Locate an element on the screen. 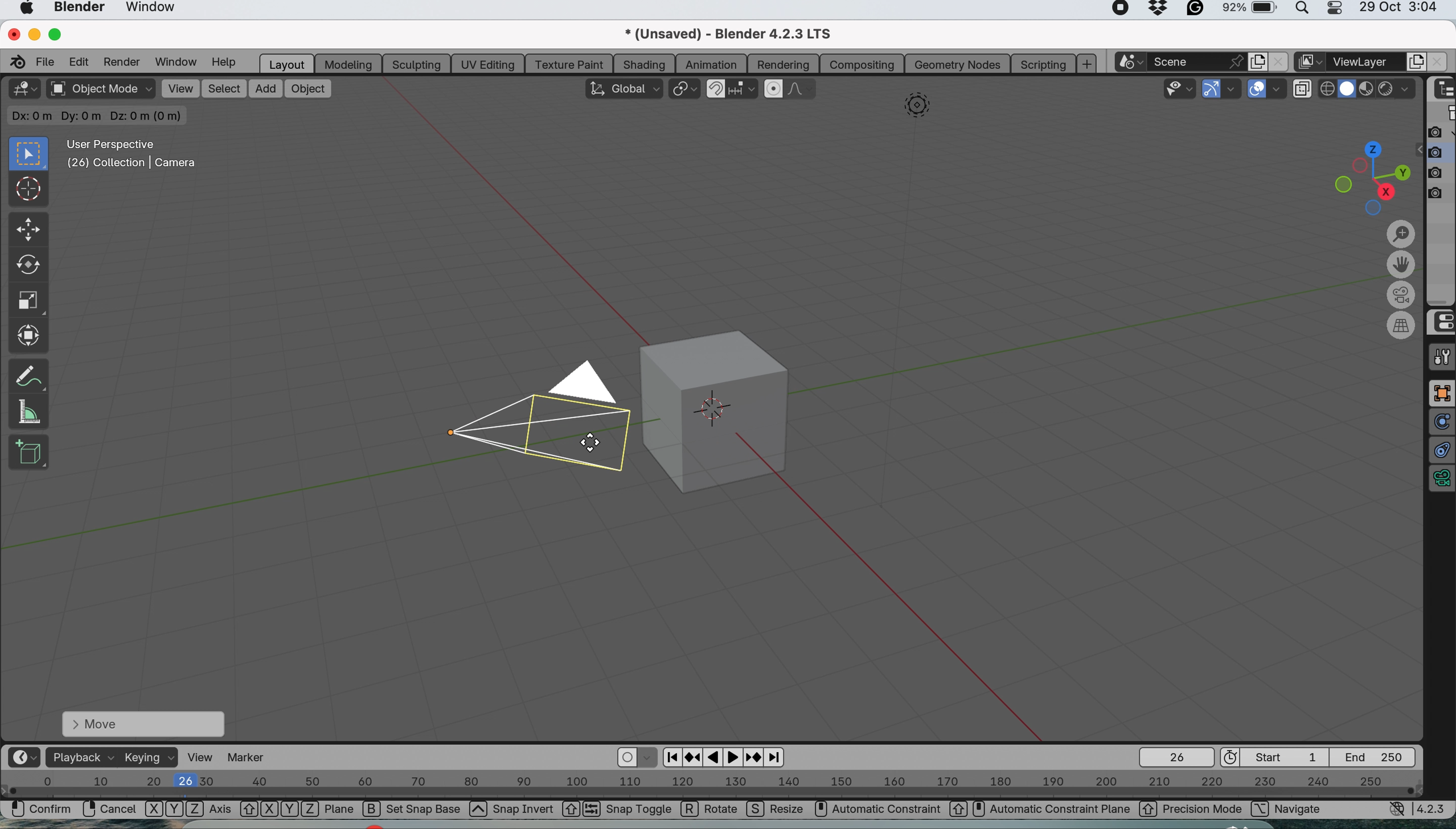  sculpting is located at coordinates (413, 63).